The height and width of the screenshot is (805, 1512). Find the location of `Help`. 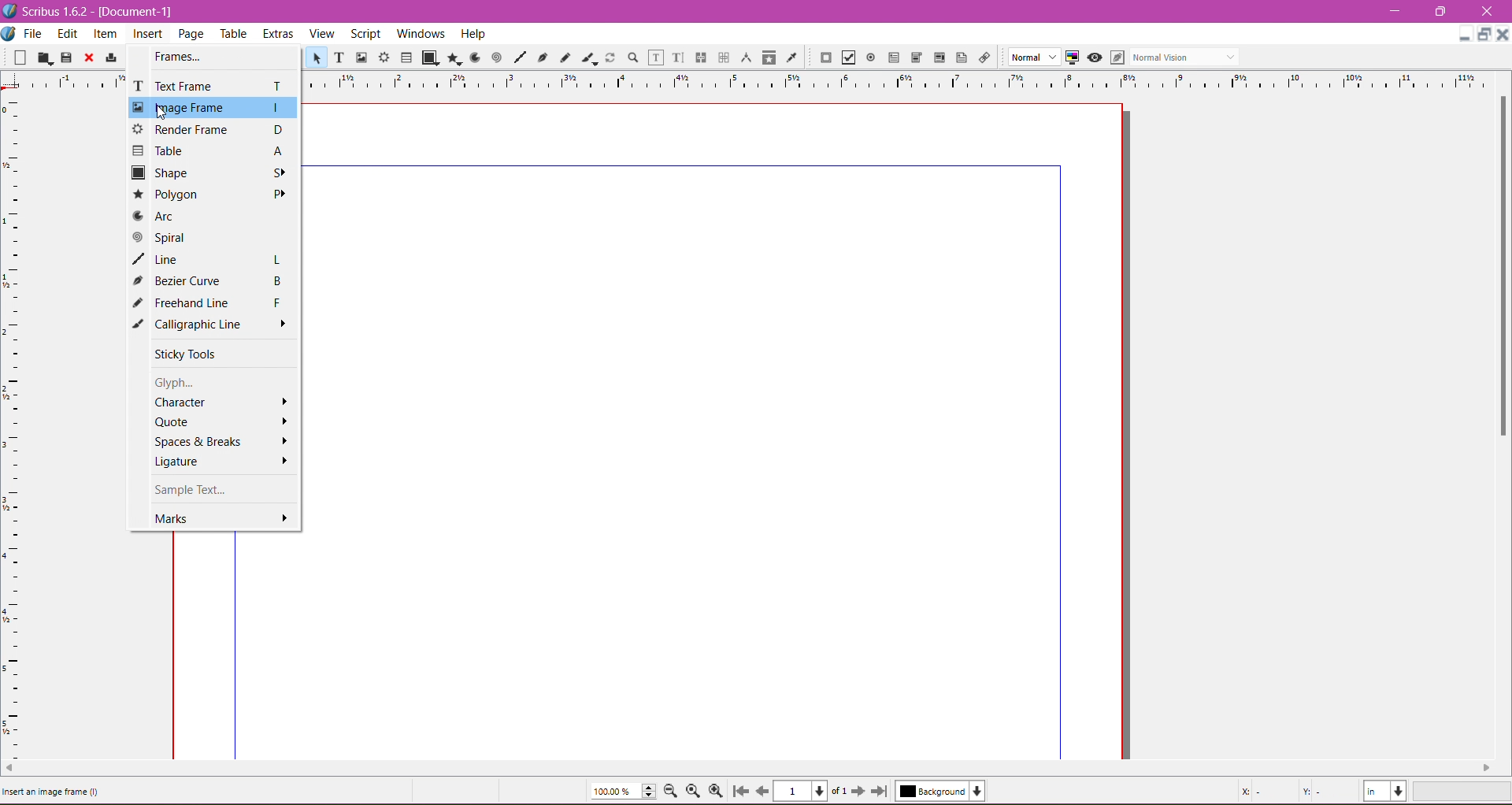

Help is located at coordinates (473, 34).